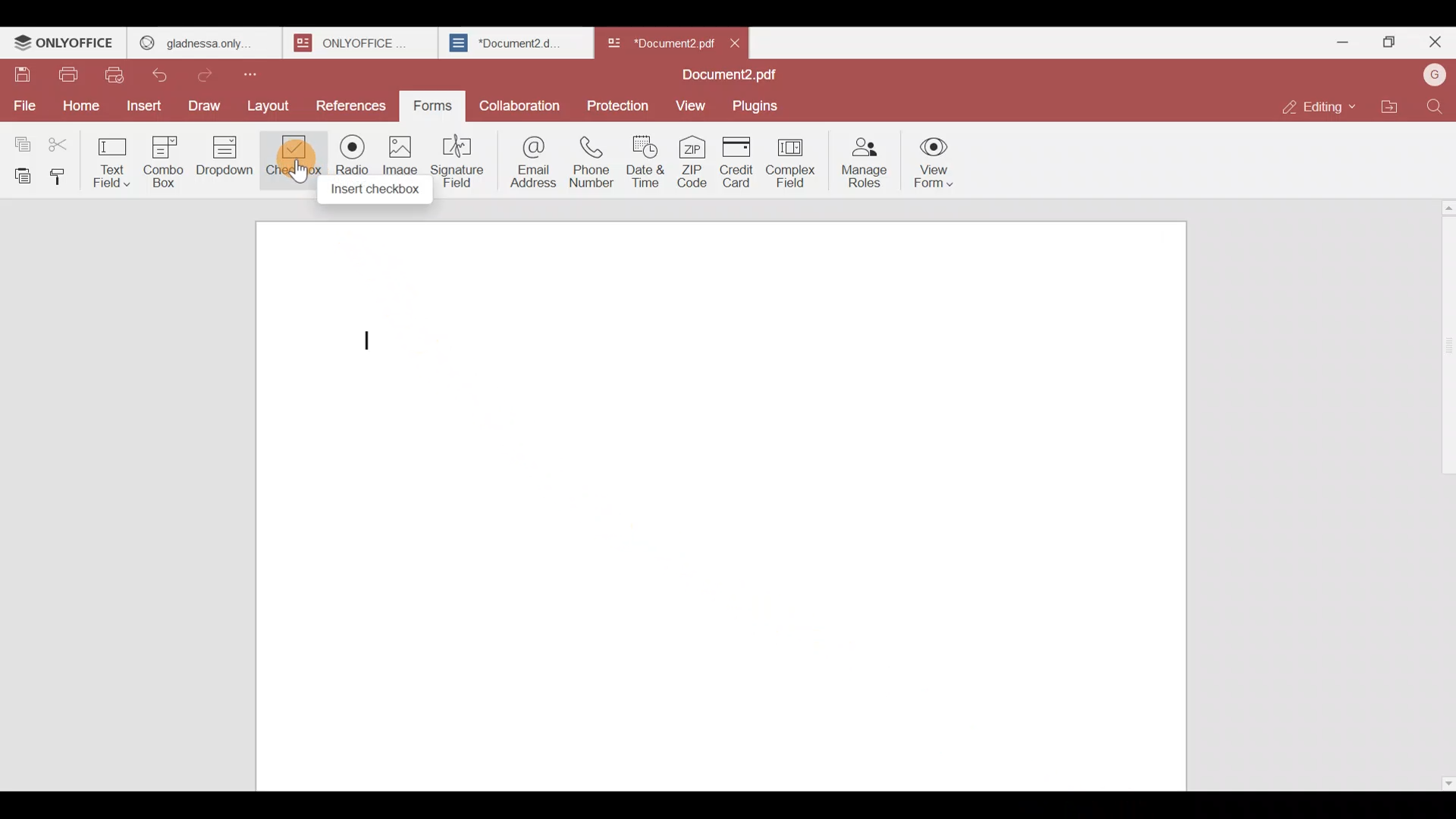 This screenshot has height=819, width=1456. What do you see at coordinates (593, 162) in the screenshot?
I see `Phone number` at bounding box center [593, 162].